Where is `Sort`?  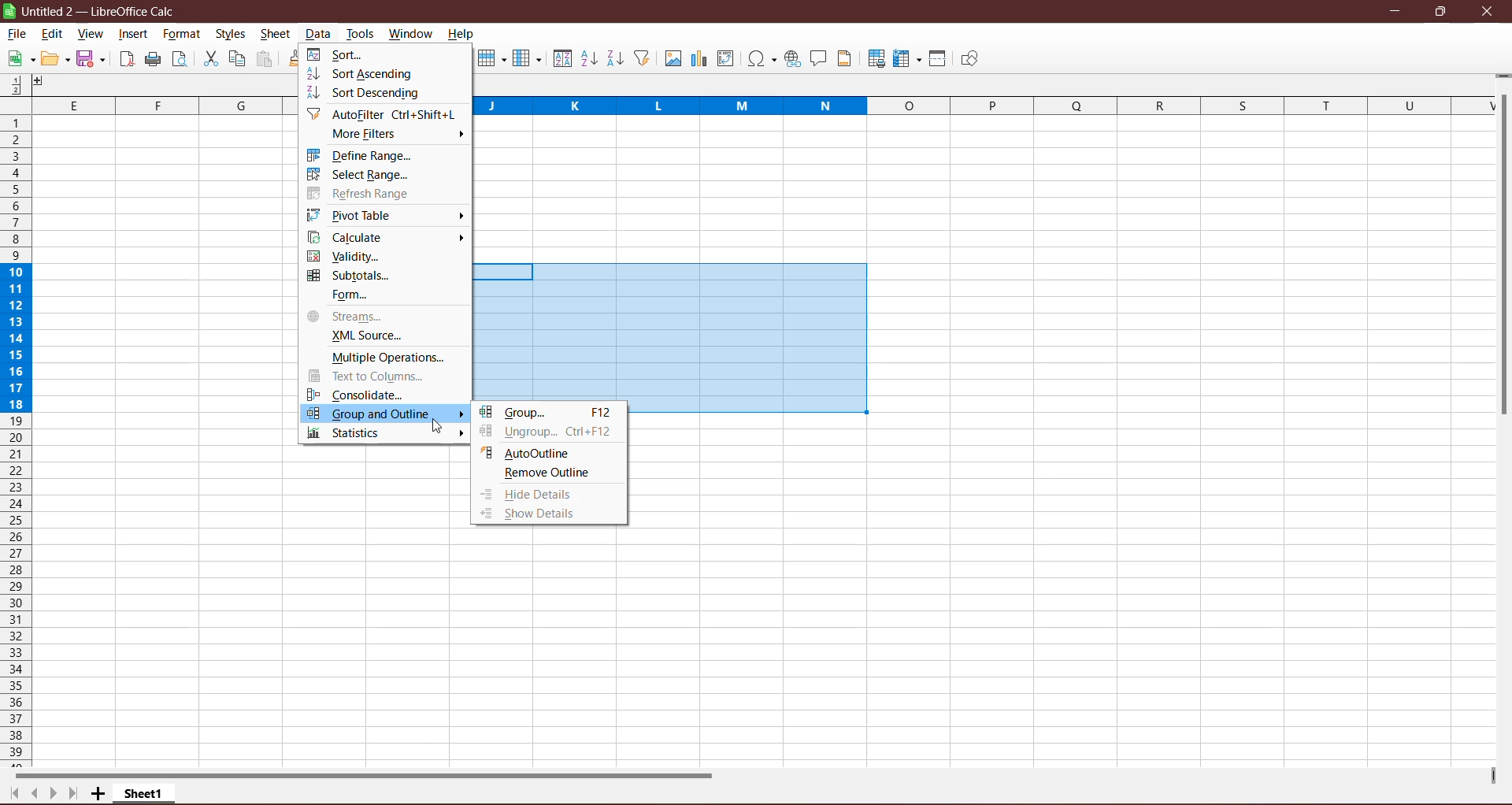 Sort is located at coordinates (339, 54).